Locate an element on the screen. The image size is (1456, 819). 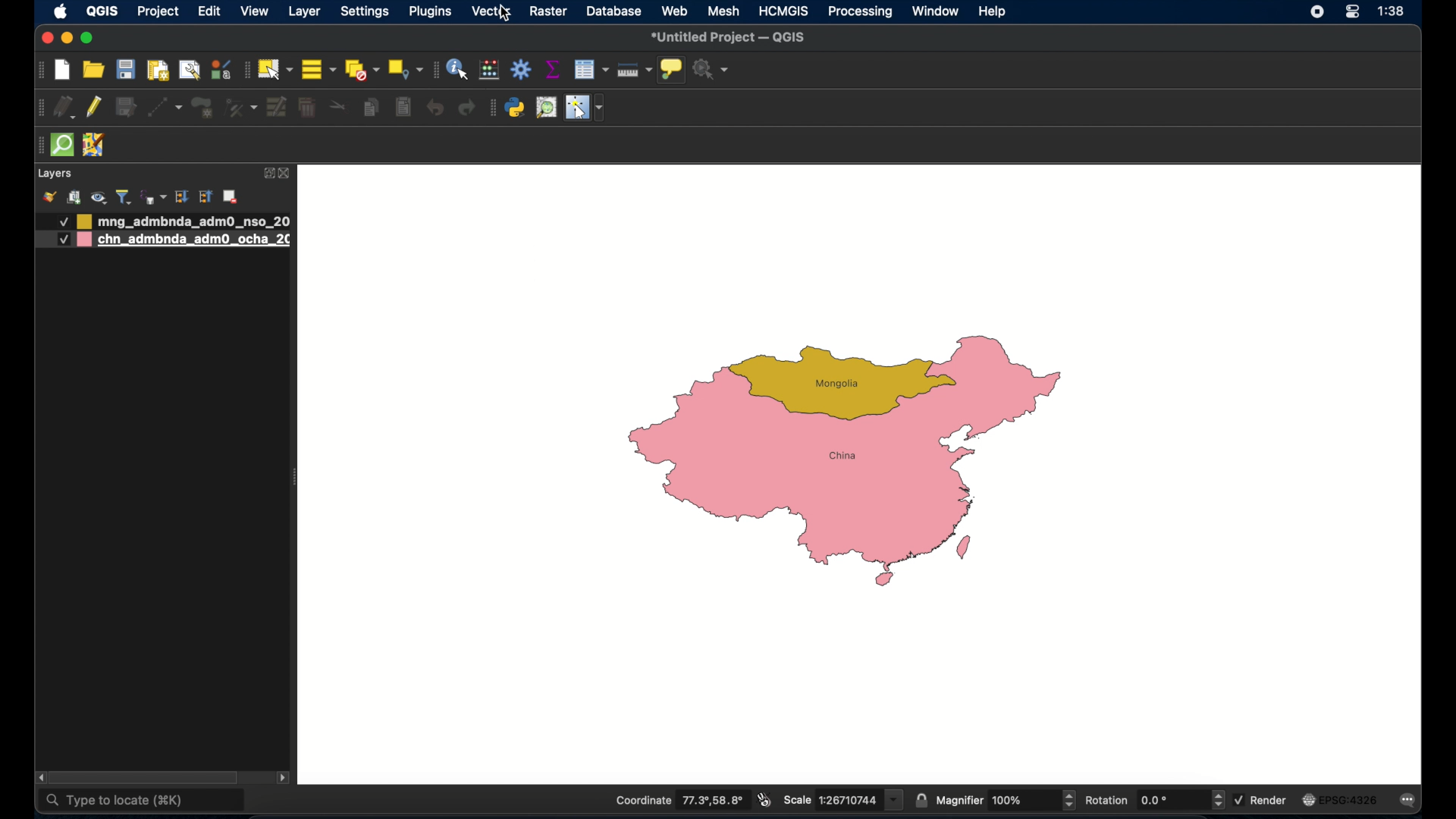
select by location is located at coordinates (404, 70).